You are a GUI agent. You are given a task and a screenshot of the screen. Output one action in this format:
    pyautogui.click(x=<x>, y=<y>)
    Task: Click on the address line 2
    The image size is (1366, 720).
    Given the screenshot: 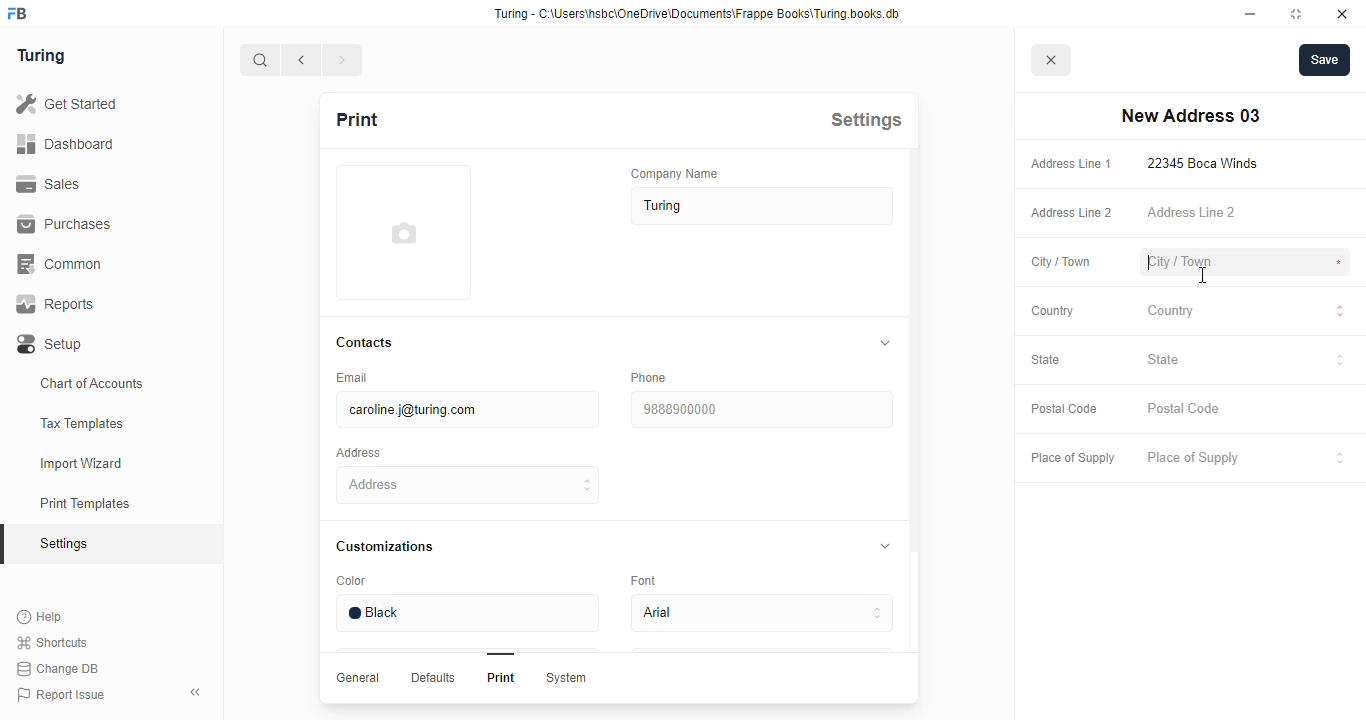 What is the action you would take?
    pyautogui.click(x=1072, y=213)
    